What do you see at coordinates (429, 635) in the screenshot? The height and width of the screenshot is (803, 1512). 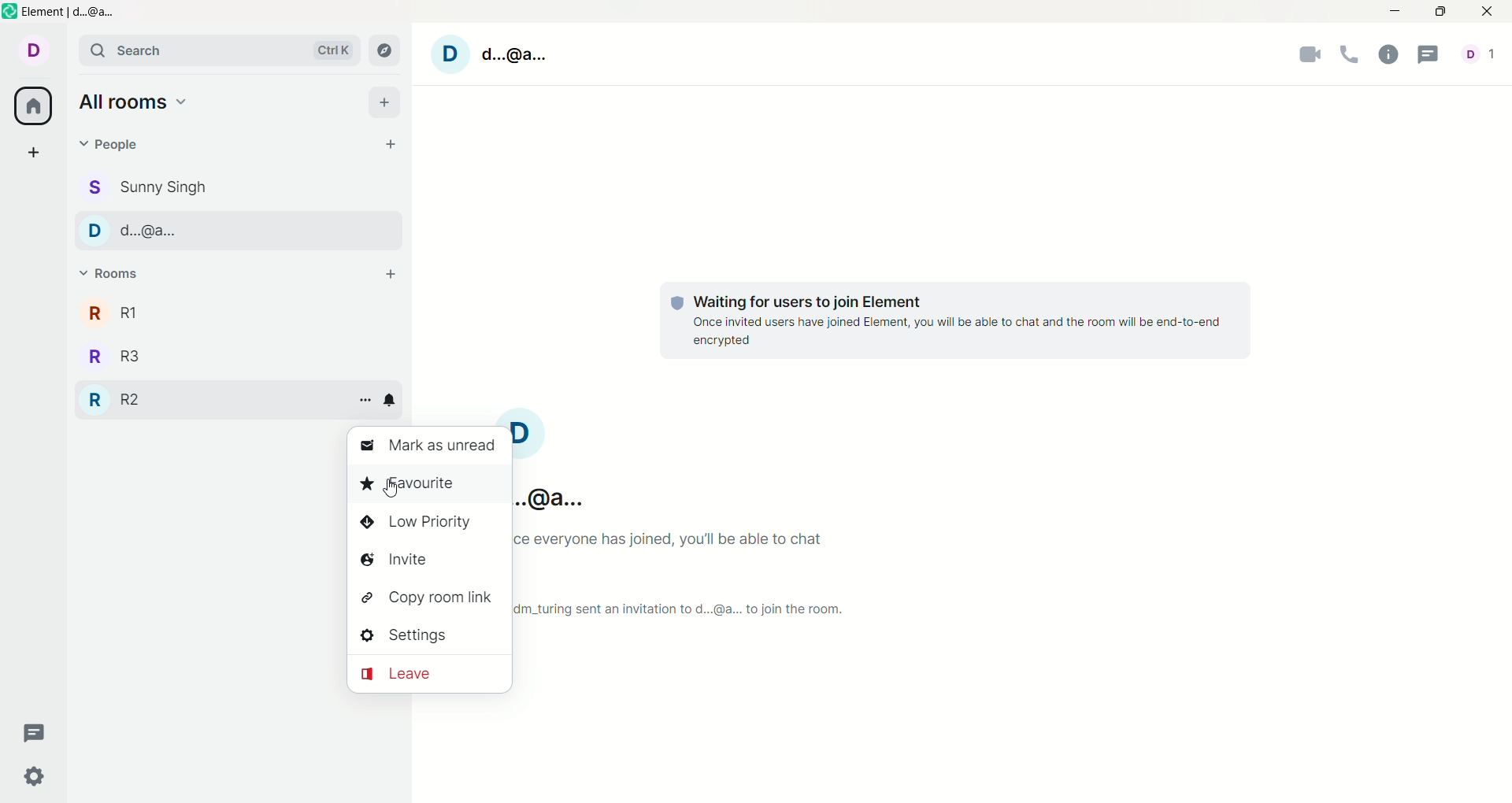 I see `settings` at bounding box center [429, 635].